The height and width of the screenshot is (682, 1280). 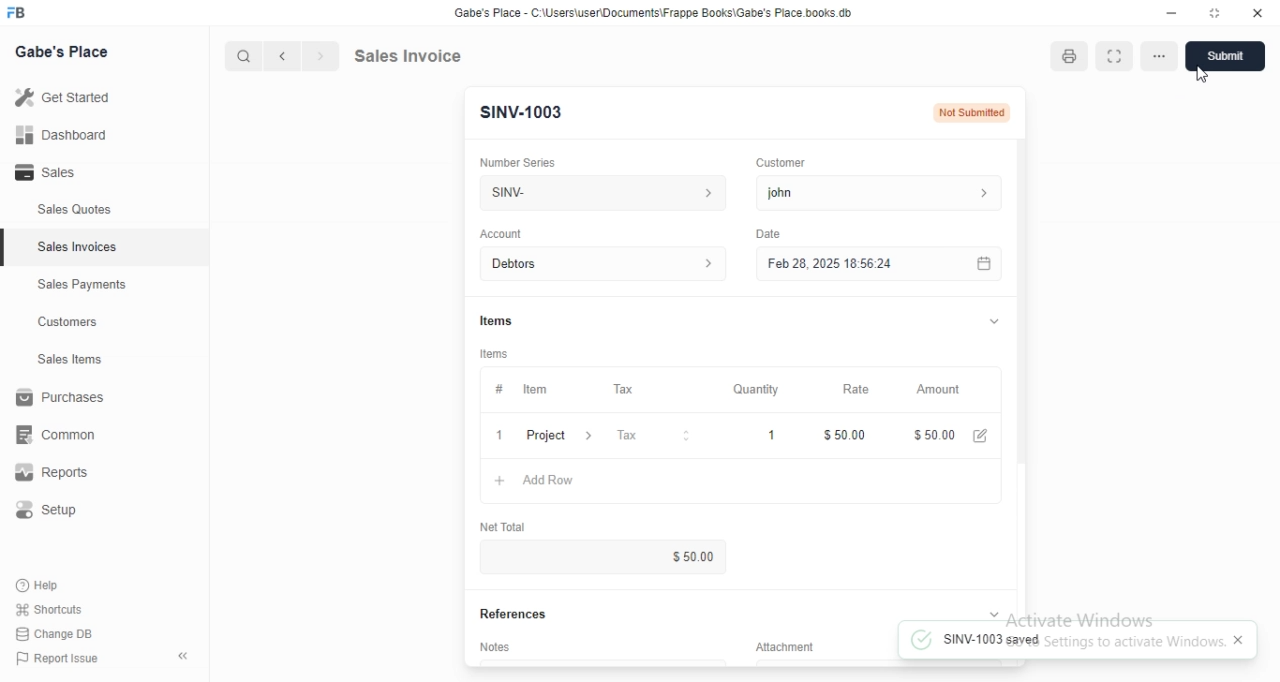 I want to click on tem, so click(x=541, y=389).